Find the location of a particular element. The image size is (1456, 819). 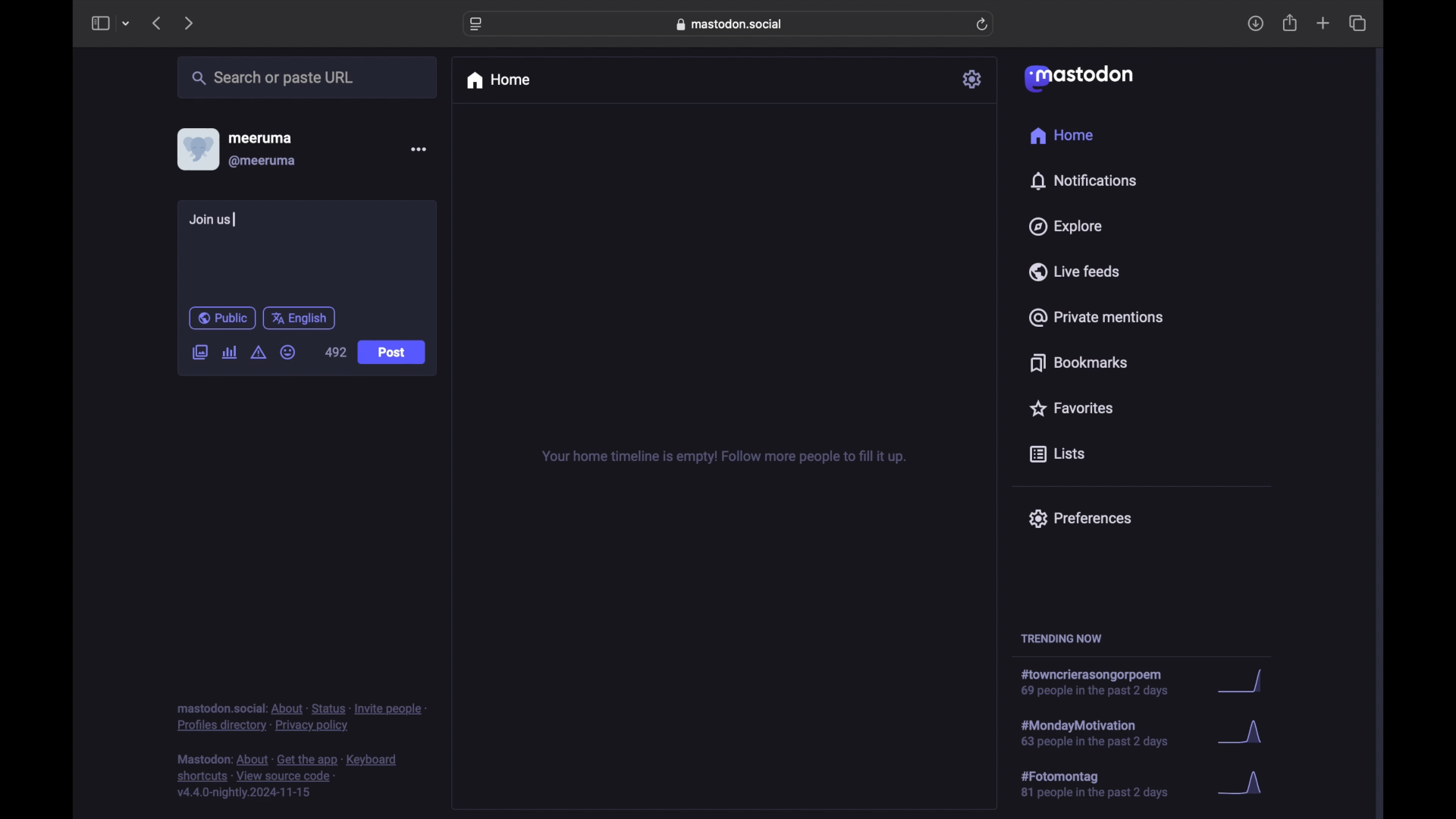

explore is located at coordinates (1064, 227).